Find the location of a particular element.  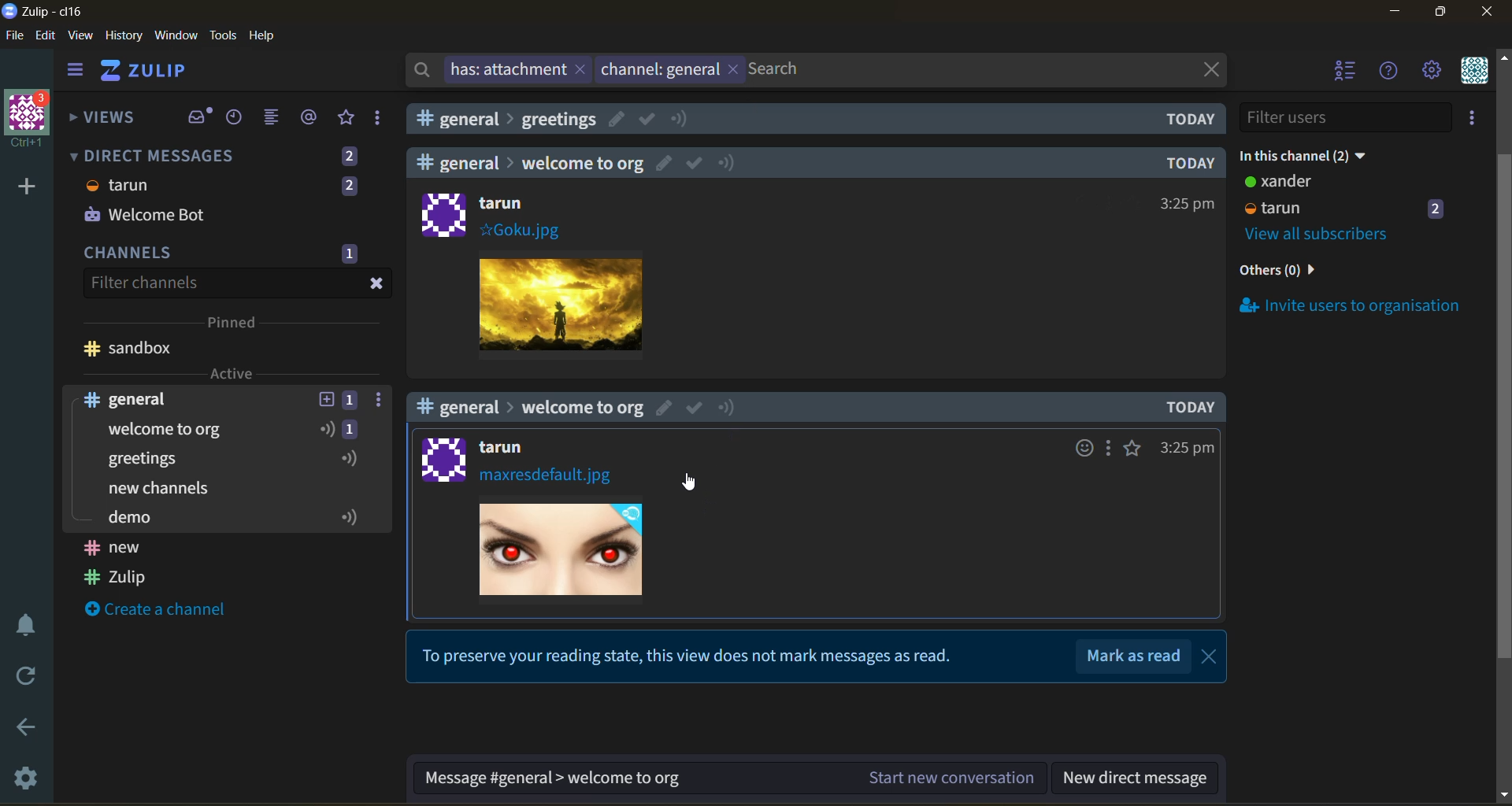

Image is located at coordinates (564, 551).